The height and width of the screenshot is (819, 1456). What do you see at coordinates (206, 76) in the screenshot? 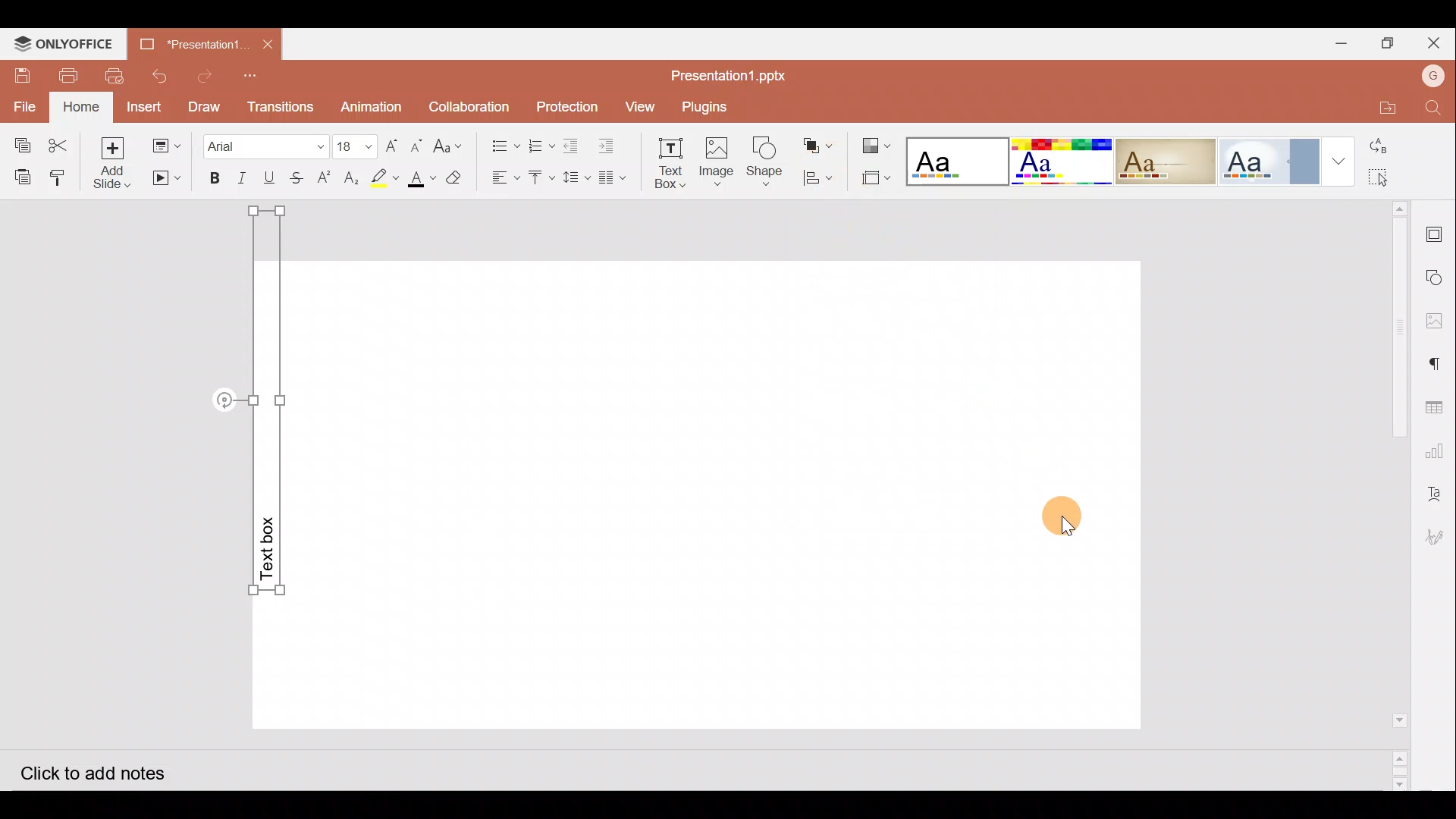
I see `Redo` at bounding box center [206, 76].